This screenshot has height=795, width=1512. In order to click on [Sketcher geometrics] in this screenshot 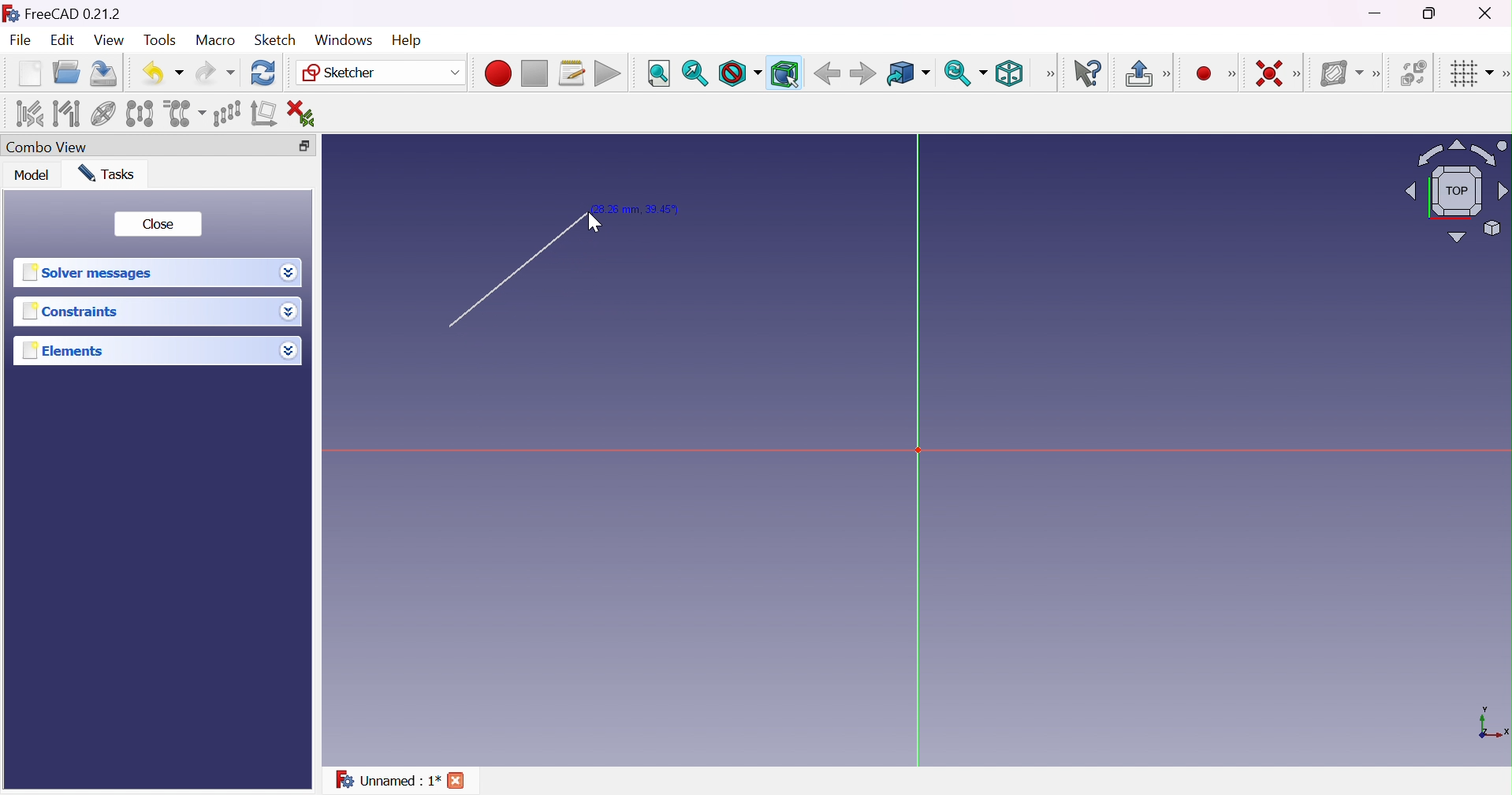, I will do `click(1232, 74)`.